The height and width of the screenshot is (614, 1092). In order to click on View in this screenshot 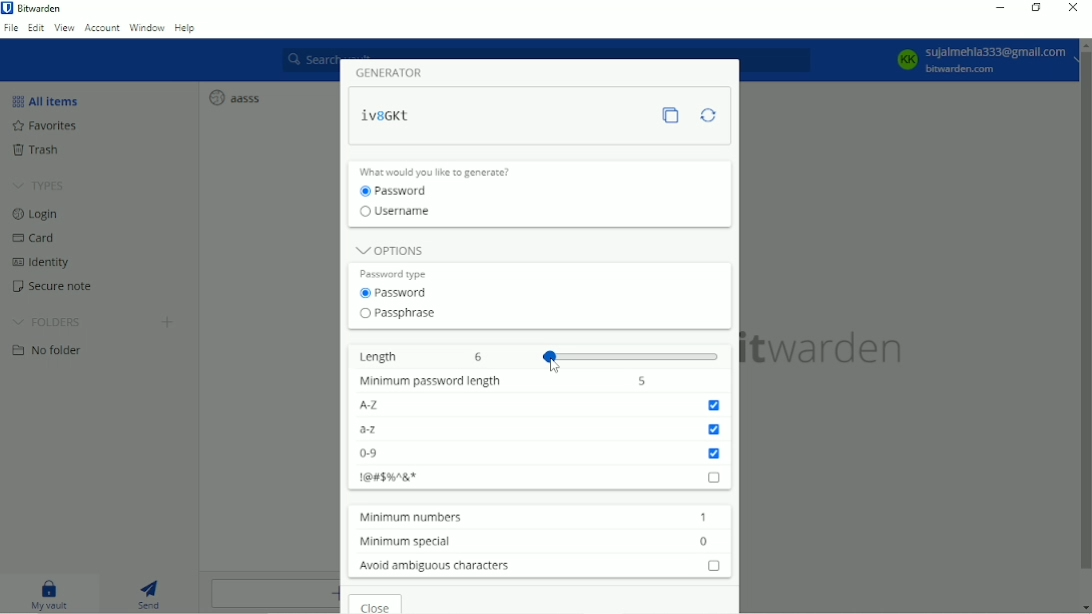, I will do `click(64, 29)`.